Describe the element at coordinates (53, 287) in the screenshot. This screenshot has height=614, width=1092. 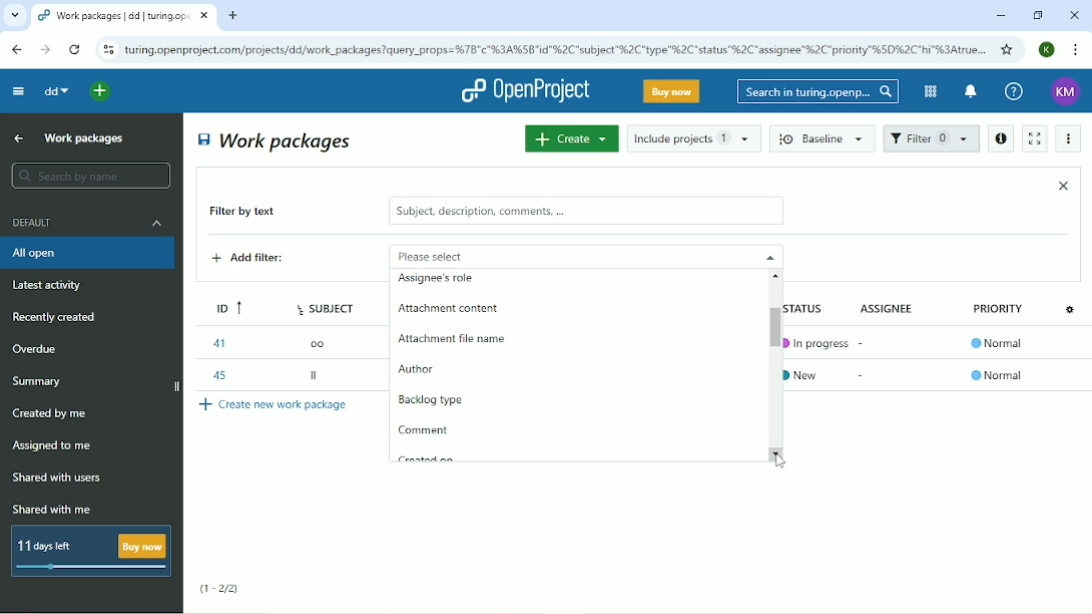
I see `Latest activity` at that location.